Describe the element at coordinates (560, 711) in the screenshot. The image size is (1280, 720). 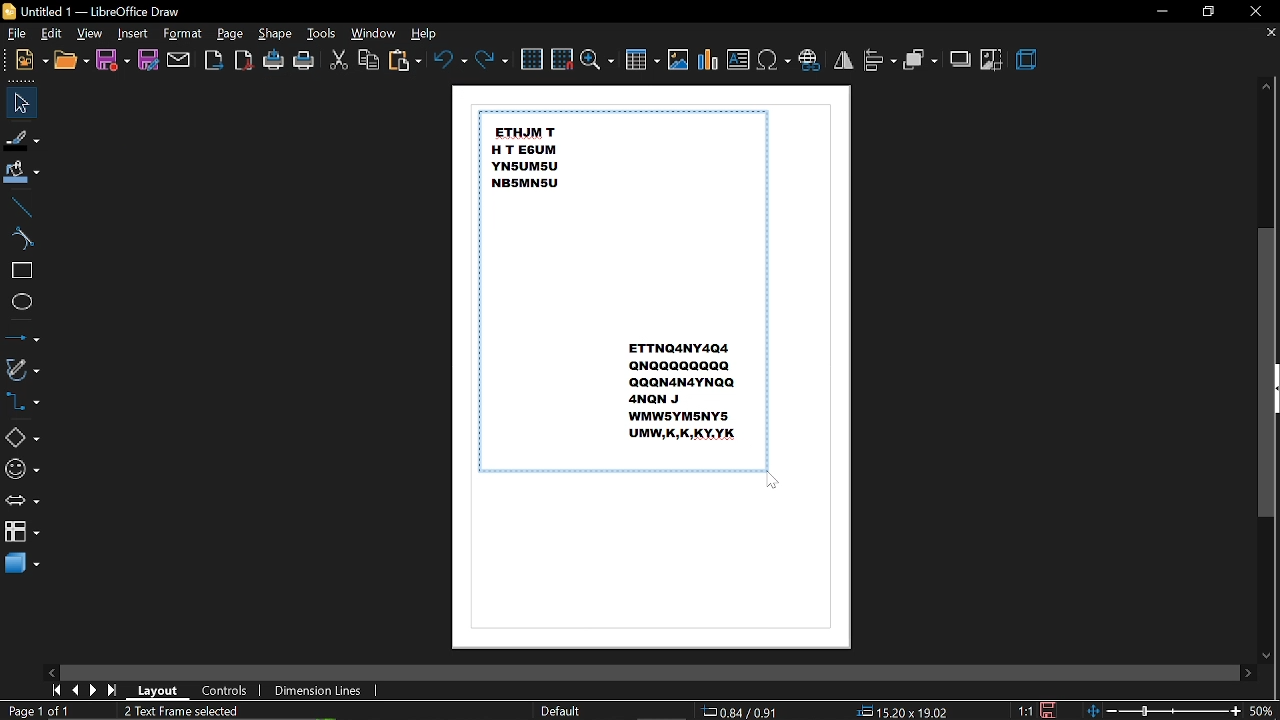
I see `default` at that location.